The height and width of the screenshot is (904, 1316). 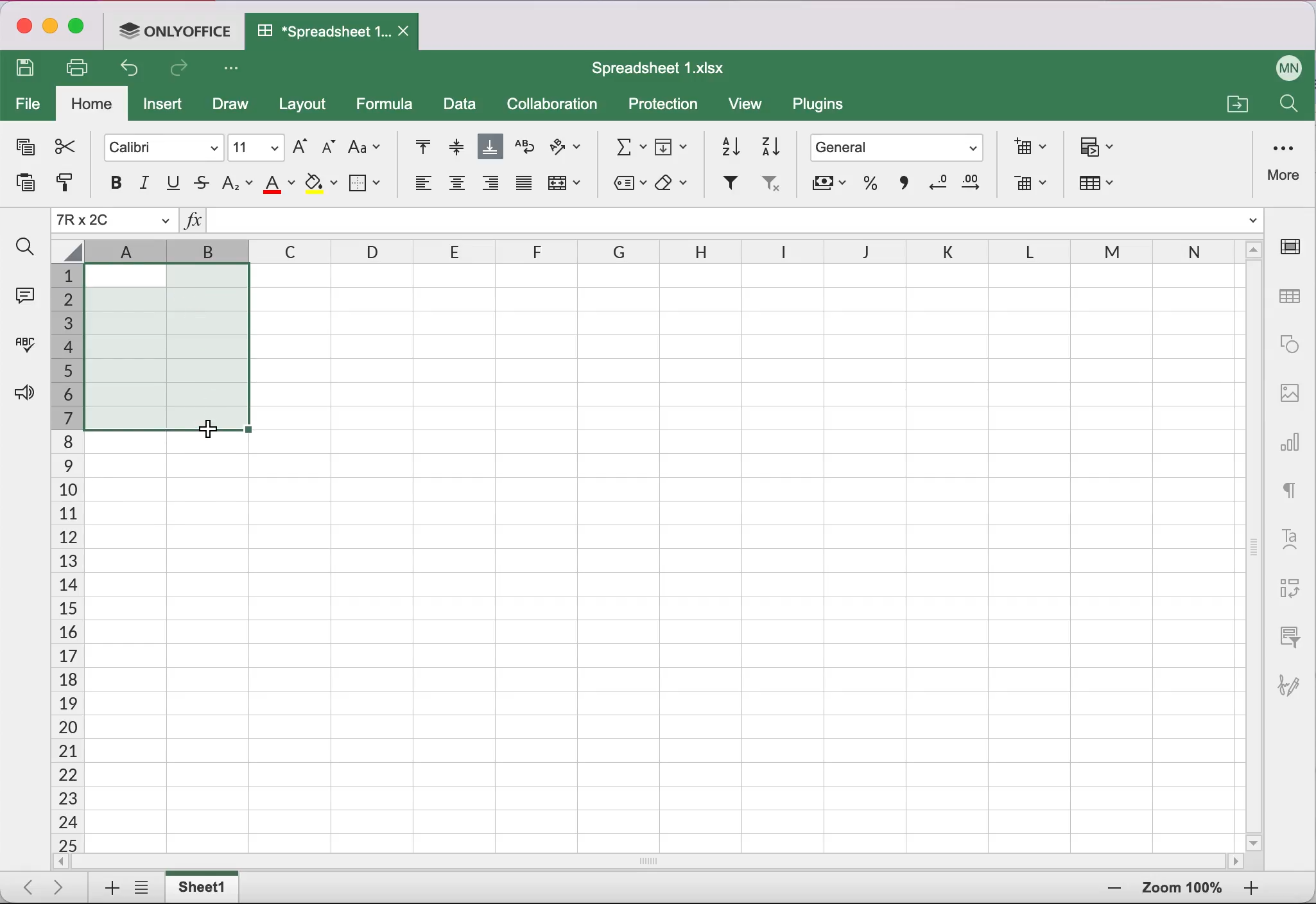 I want to click on columns, so click(x=528, y=252).